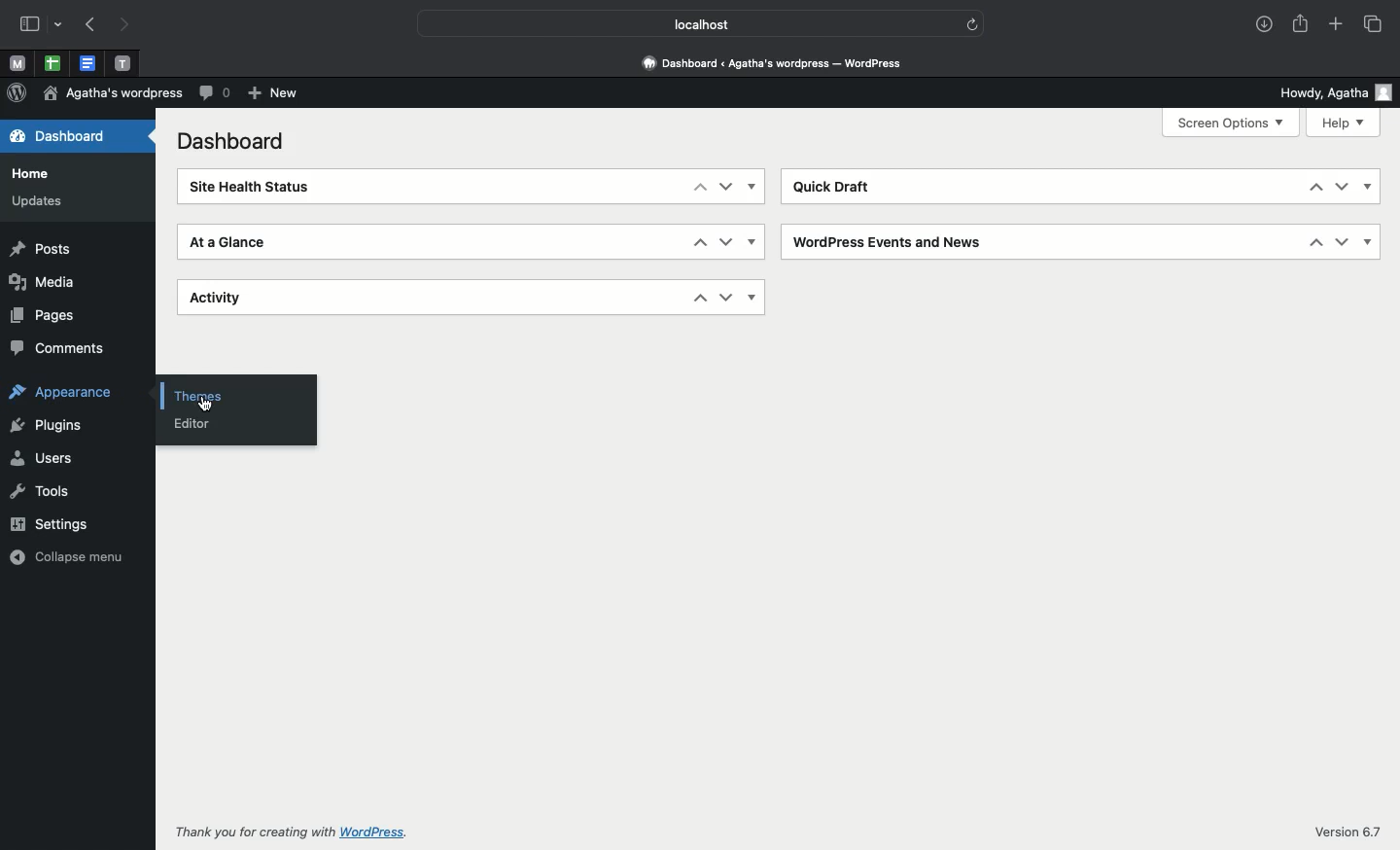 This screenshot has height=850, width=1400. What do you see at coordinates (228, 241) in the screenshot?
I see `At a glance` at bounding box center [228, 241].